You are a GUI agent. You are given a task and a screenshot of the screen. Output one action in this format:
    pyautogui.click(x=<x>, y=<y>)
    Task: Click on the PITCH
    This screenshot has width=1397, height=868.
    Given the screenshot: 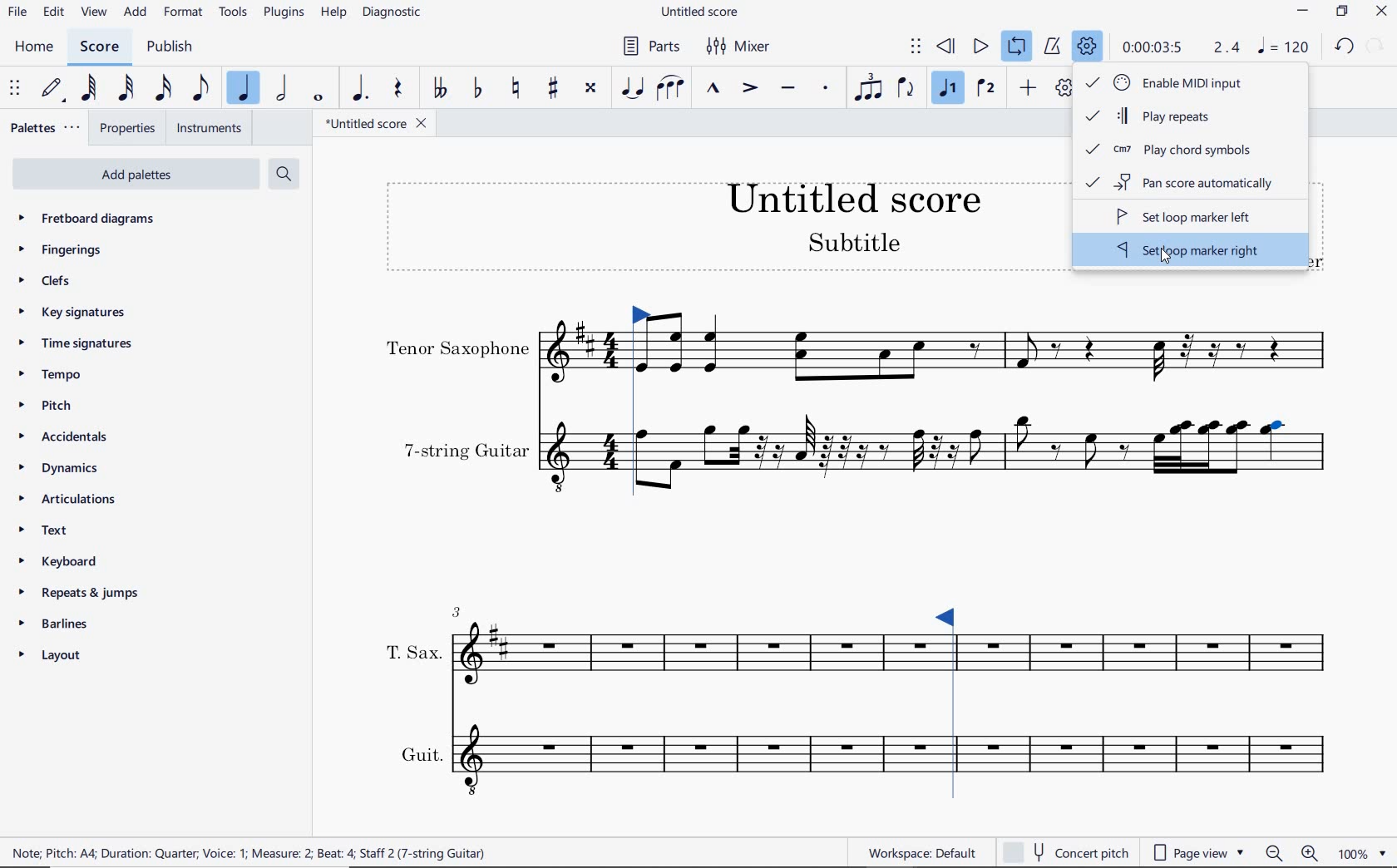 What is the action you would take?
    pyautogui.click(x=43, y=406)
    